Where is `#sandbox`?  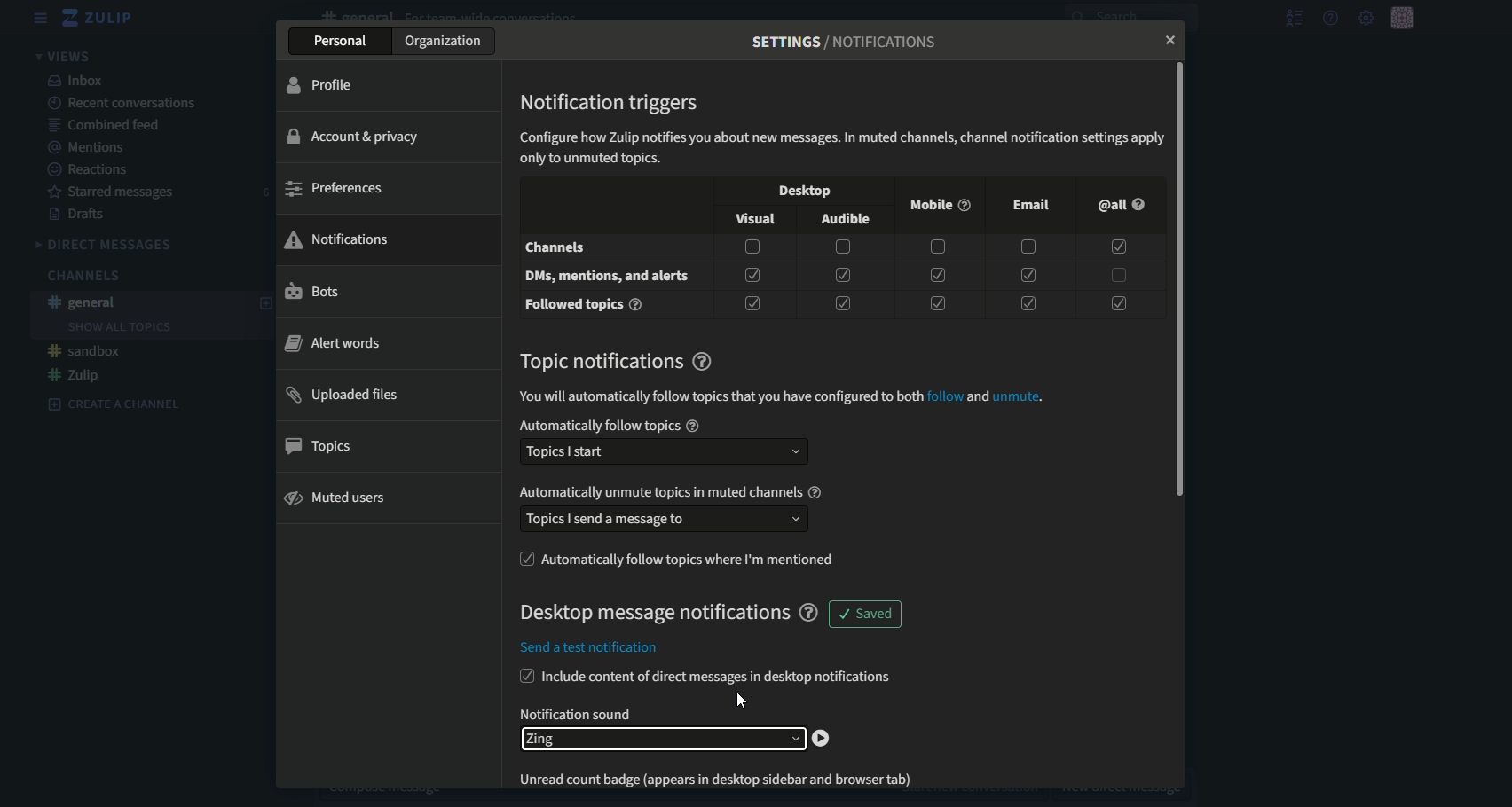
#sandbox is located at coordinates (86, 351).